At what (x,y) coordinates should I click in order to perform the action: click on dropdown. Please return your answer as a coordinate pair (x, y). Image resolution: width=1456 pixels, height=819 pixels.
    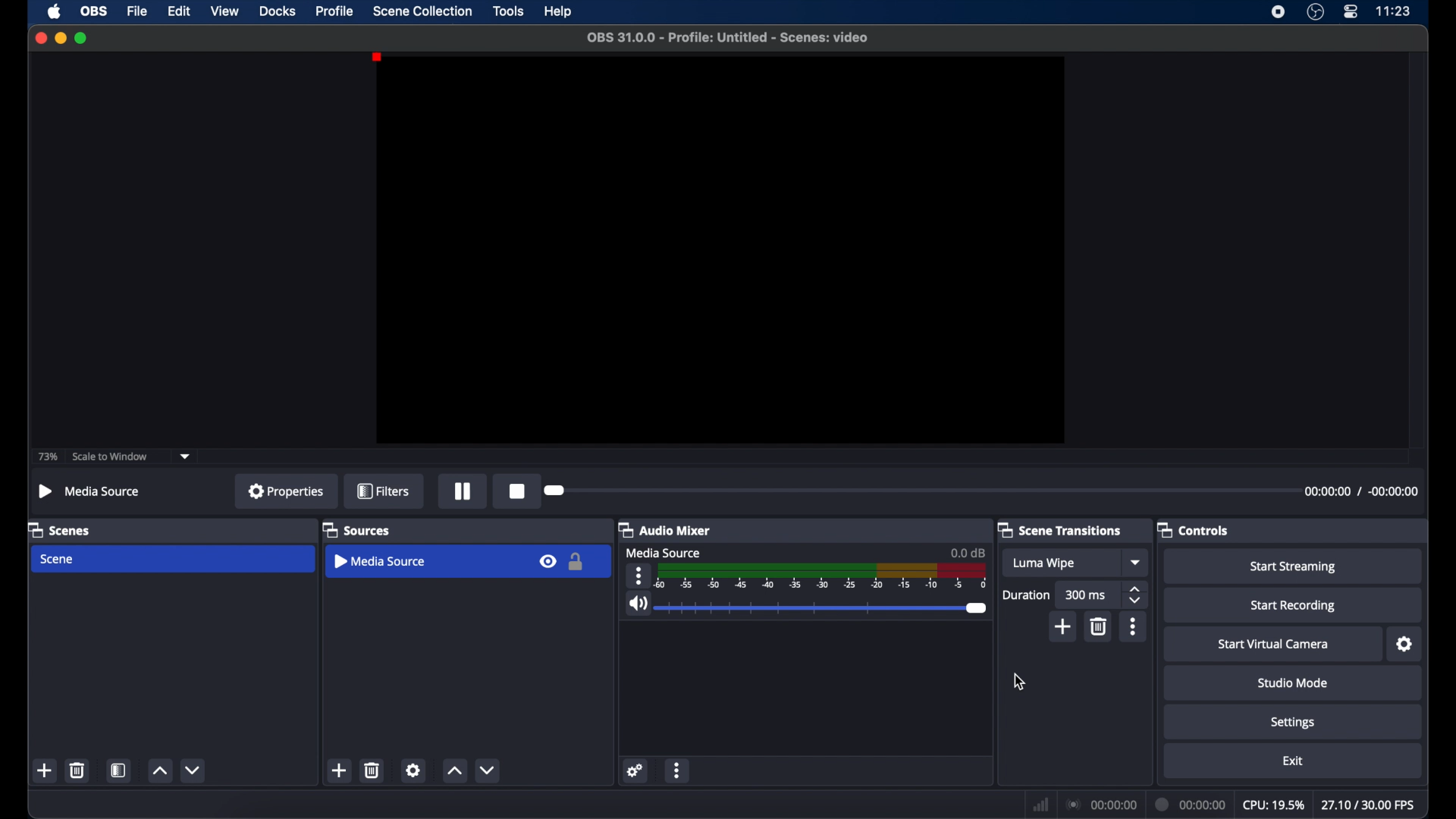
    Looking at the image, I should click on (185, 457).